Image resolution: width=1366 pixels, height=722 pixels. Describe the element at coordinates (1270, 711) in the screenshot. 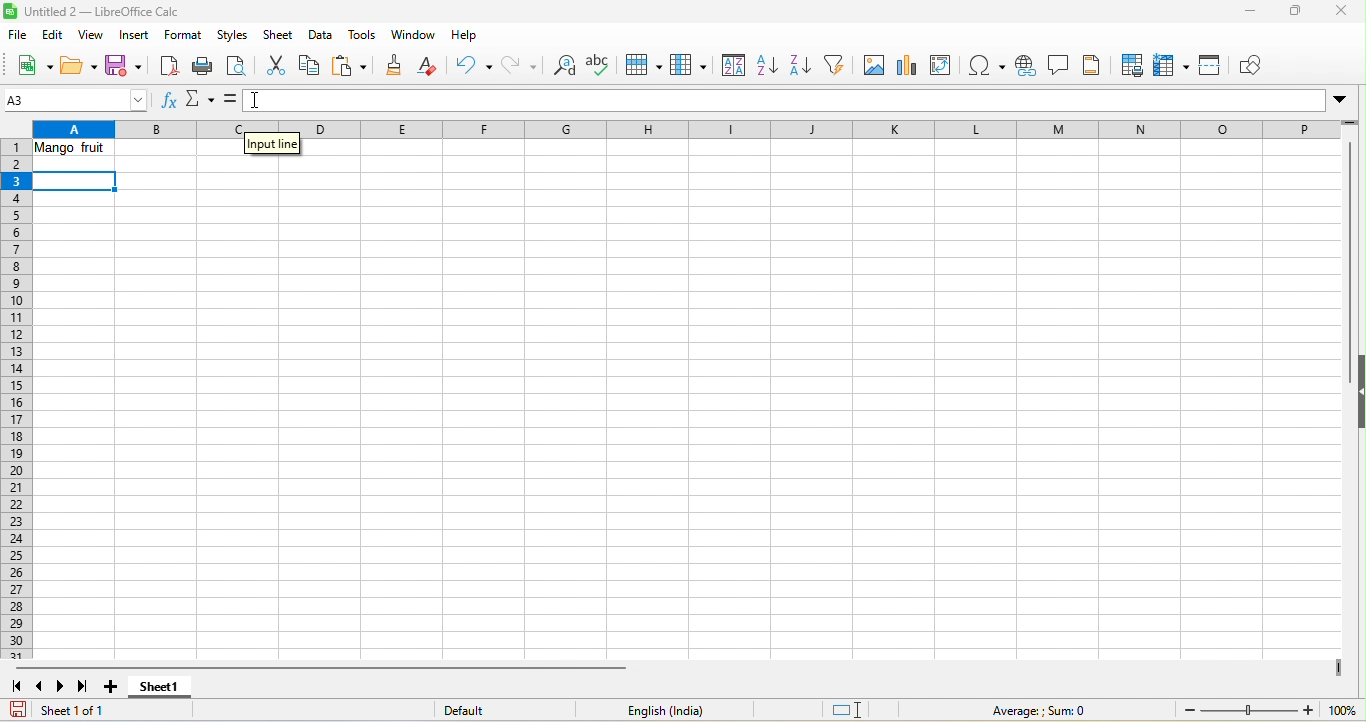

I see `zoom` at that location.